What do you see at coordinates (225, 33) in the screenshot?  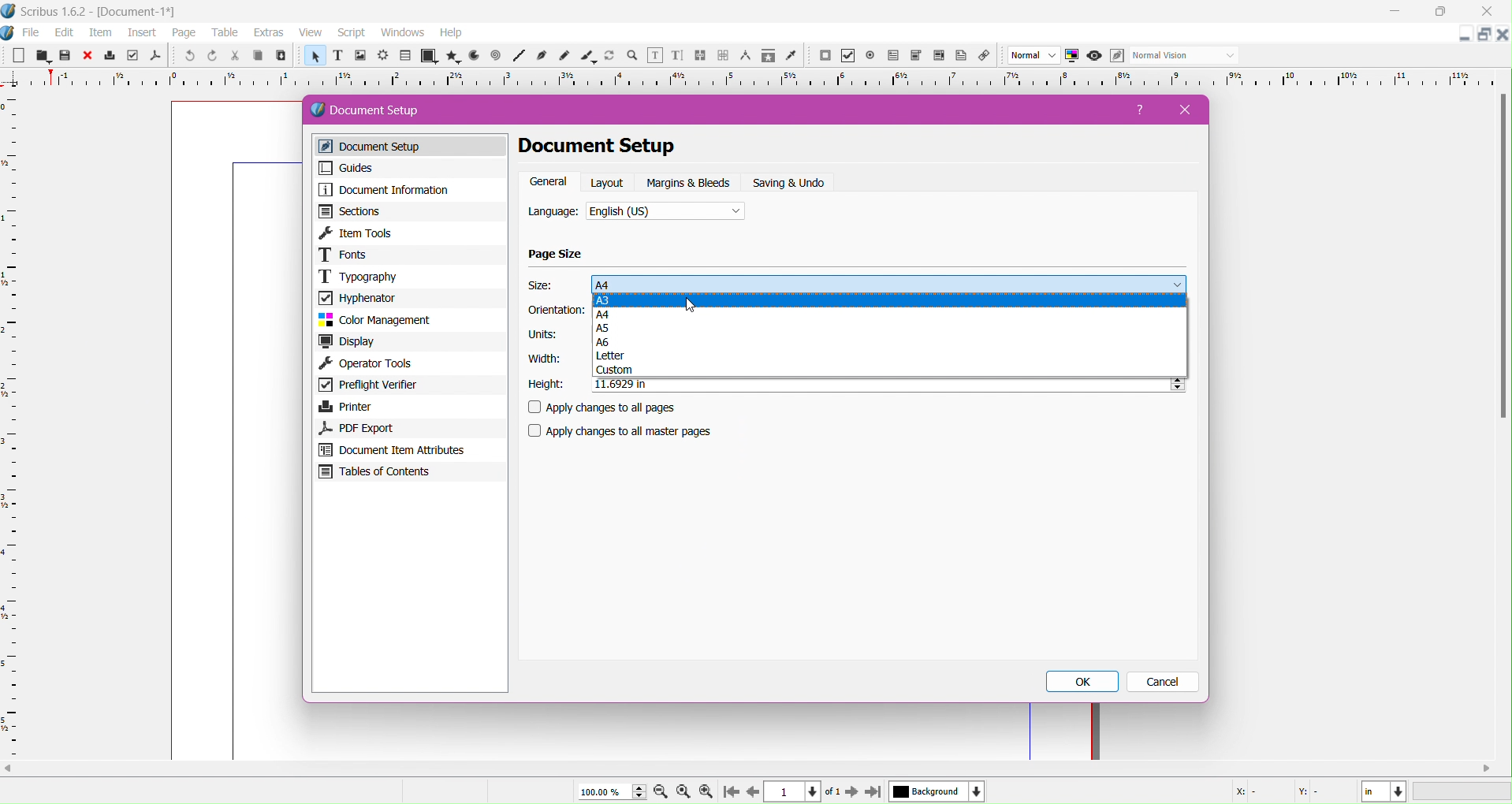 I see `table menu` at bounding box center [225, 33].